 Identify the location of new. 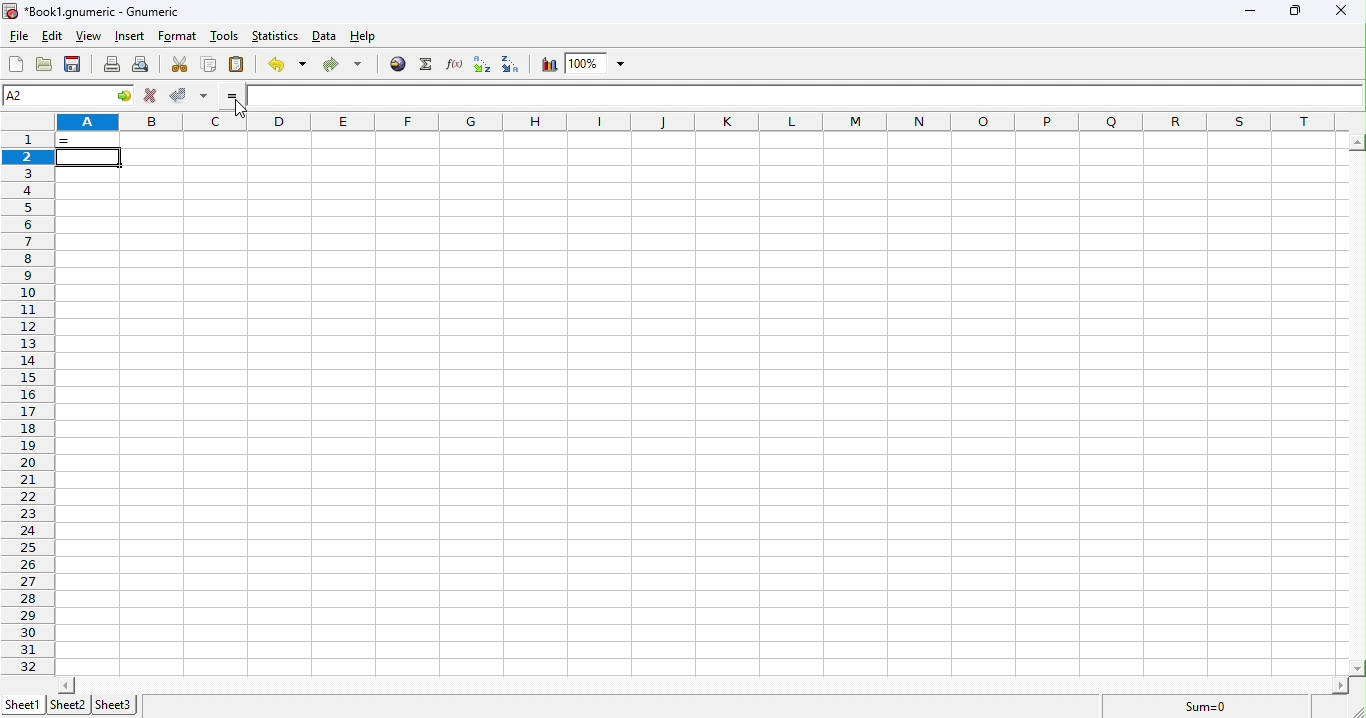
(16, 65).